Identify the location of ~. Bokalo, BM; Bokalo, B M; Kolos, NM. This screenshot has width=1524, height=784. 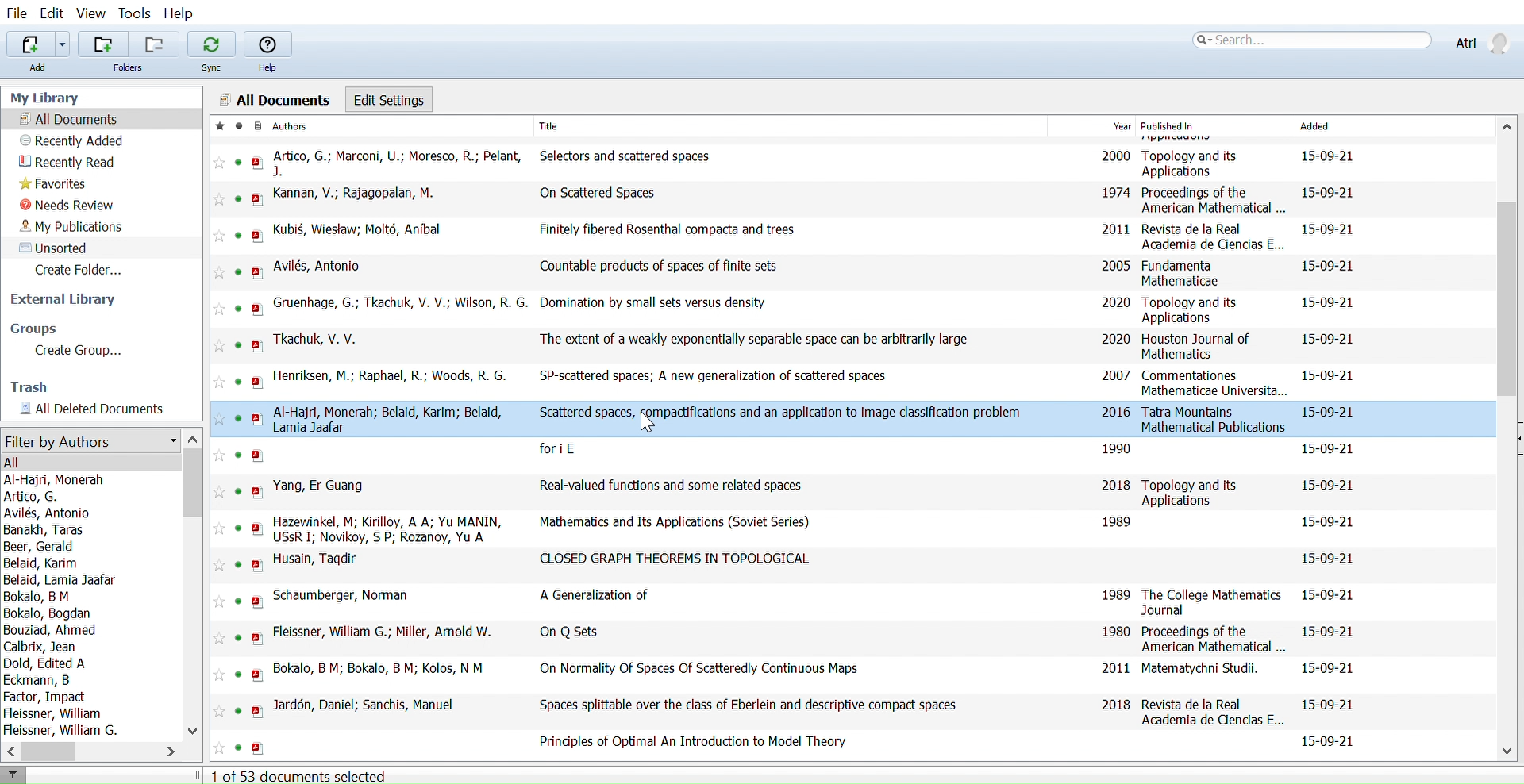
(384, 669).